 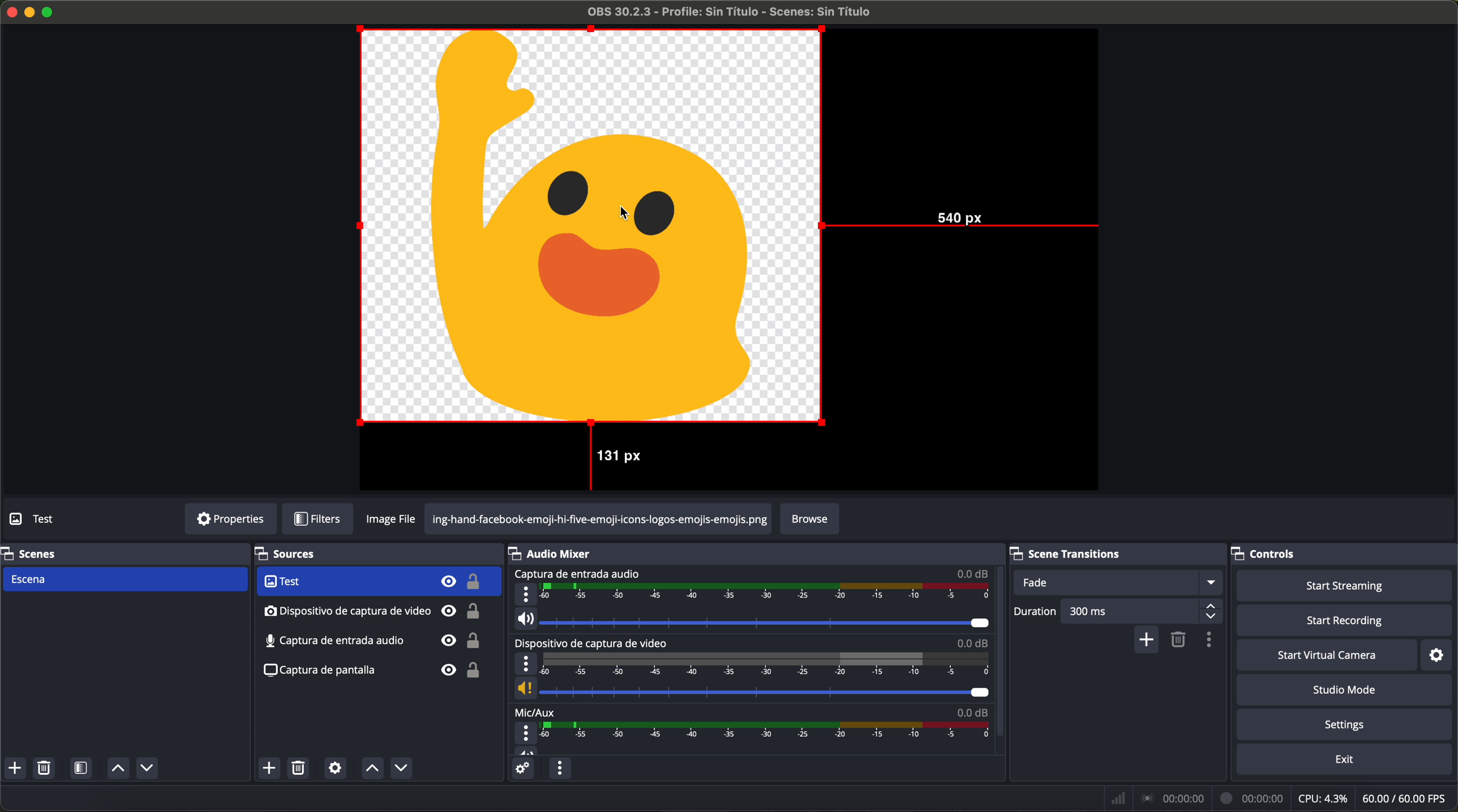 What do you see at coordinates (335, 768) in the screenshot?
I see `open source properties` at bounding box center [335, 768].